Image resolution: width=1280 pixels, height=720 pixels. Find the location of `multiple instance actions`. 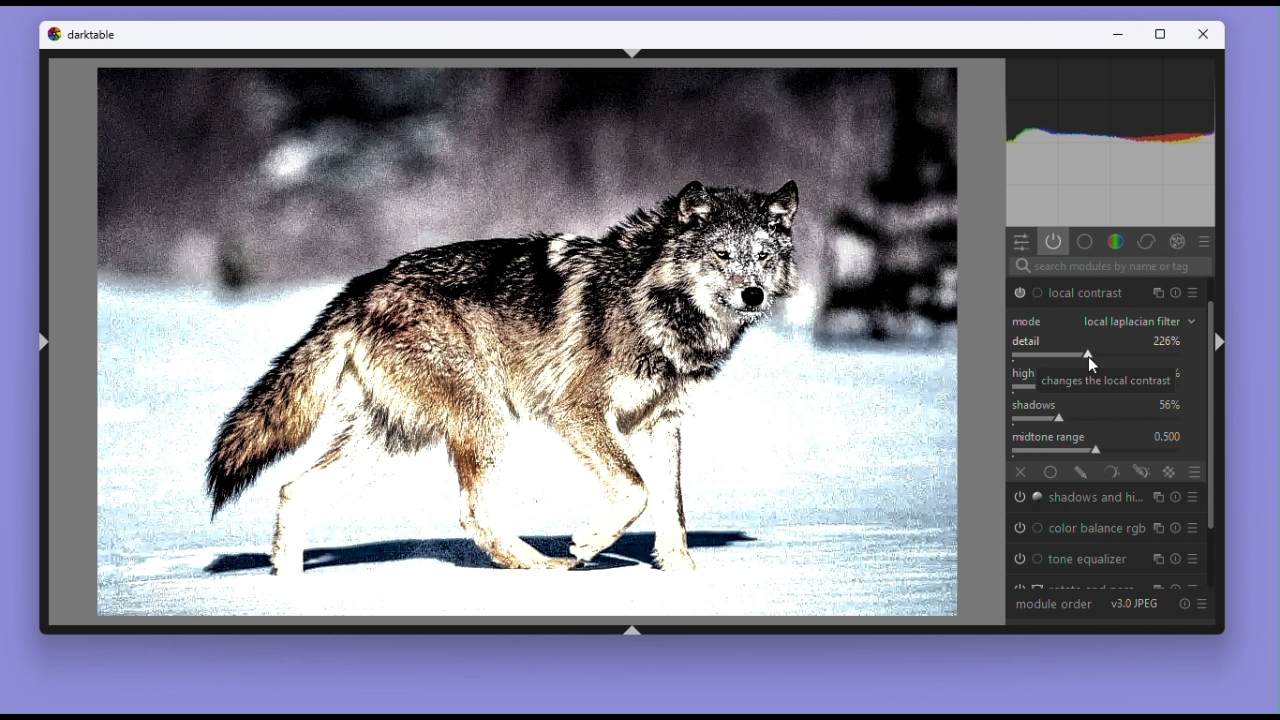

multiple instance actions is located at coordinates (1156, 500).